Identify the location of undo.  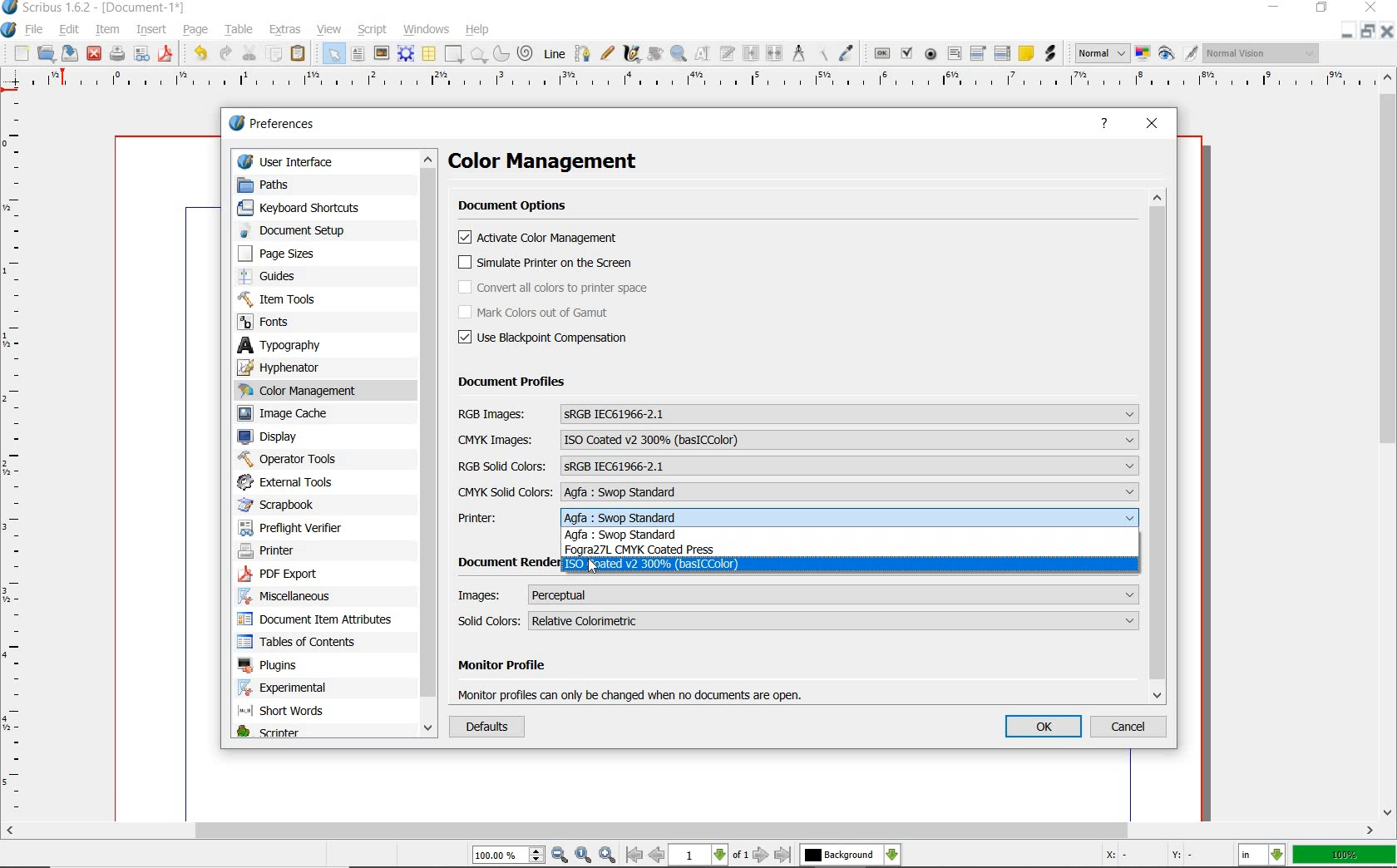
(200, 53).